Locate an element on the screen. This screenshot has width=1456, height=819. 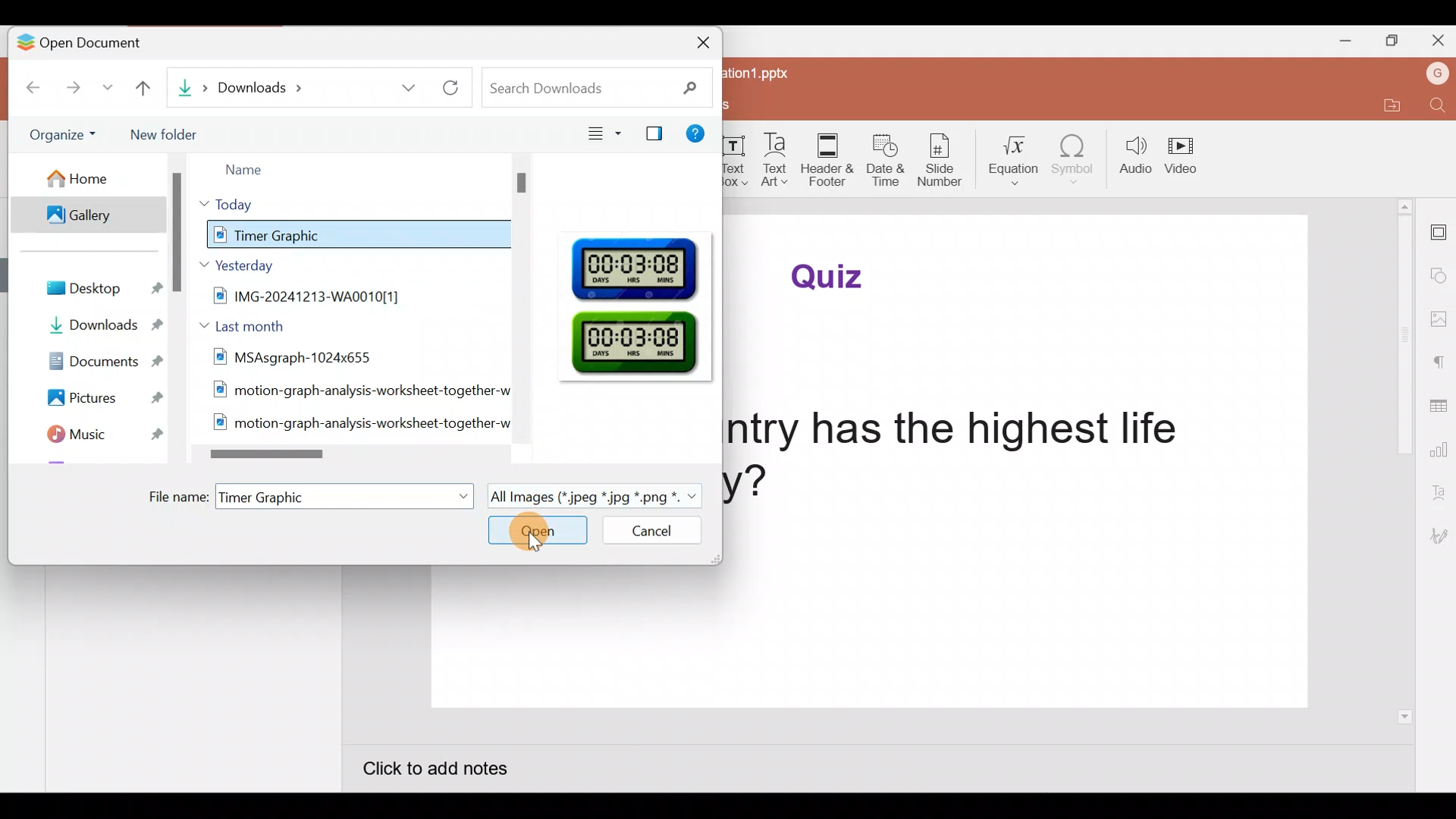
Shape settings is located at coordinates (1439, 275).